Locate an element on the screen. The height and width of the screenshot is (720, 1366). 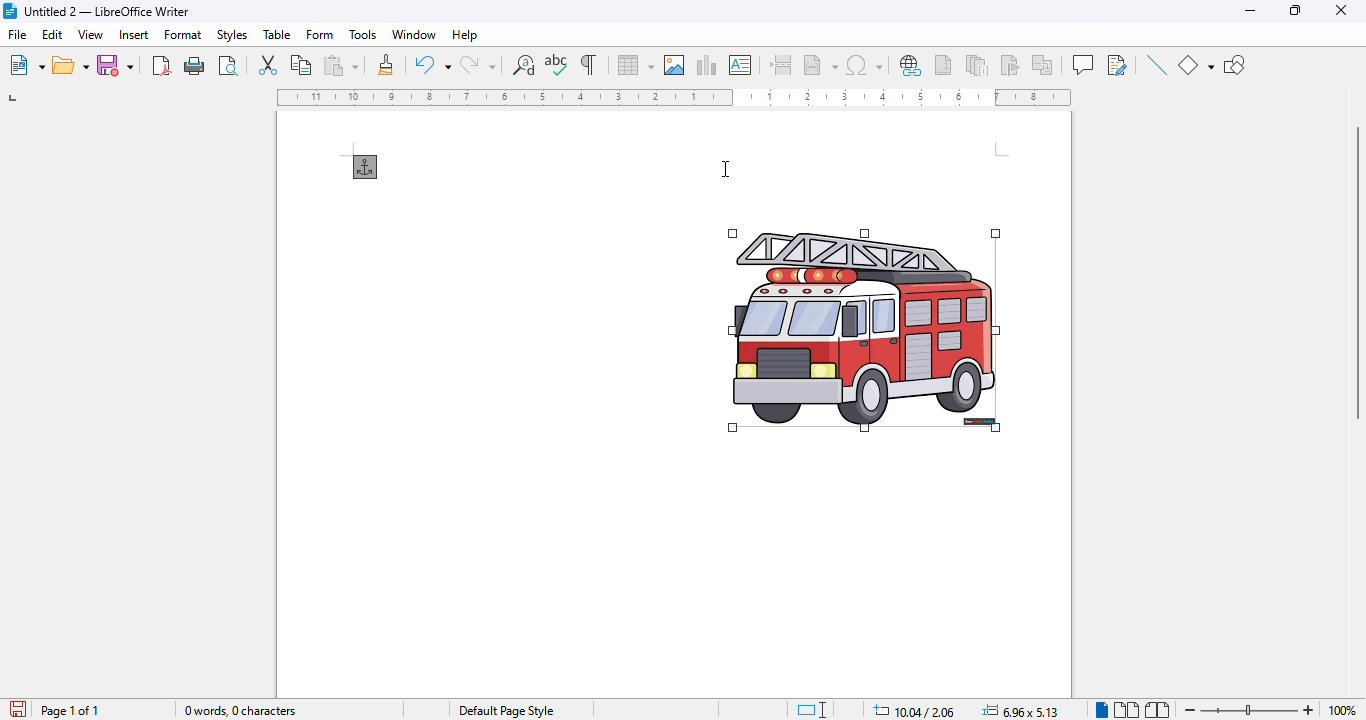
page style is located at coordinates (506, 711).